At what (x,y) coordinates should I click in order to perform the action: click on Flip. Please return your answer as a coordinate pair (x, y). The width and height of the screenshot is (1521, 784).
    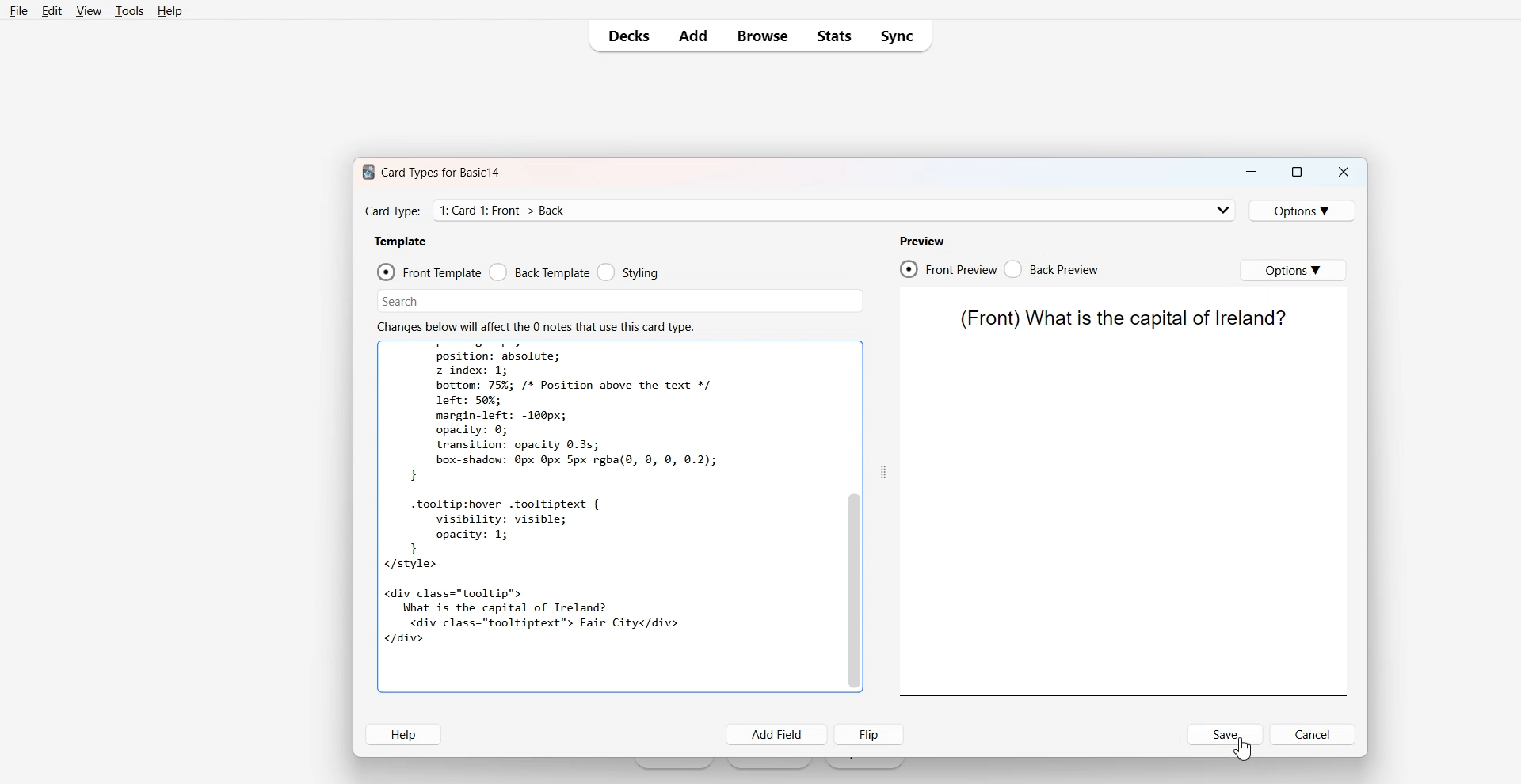
    Looking at the image, I should click on (869, 734).